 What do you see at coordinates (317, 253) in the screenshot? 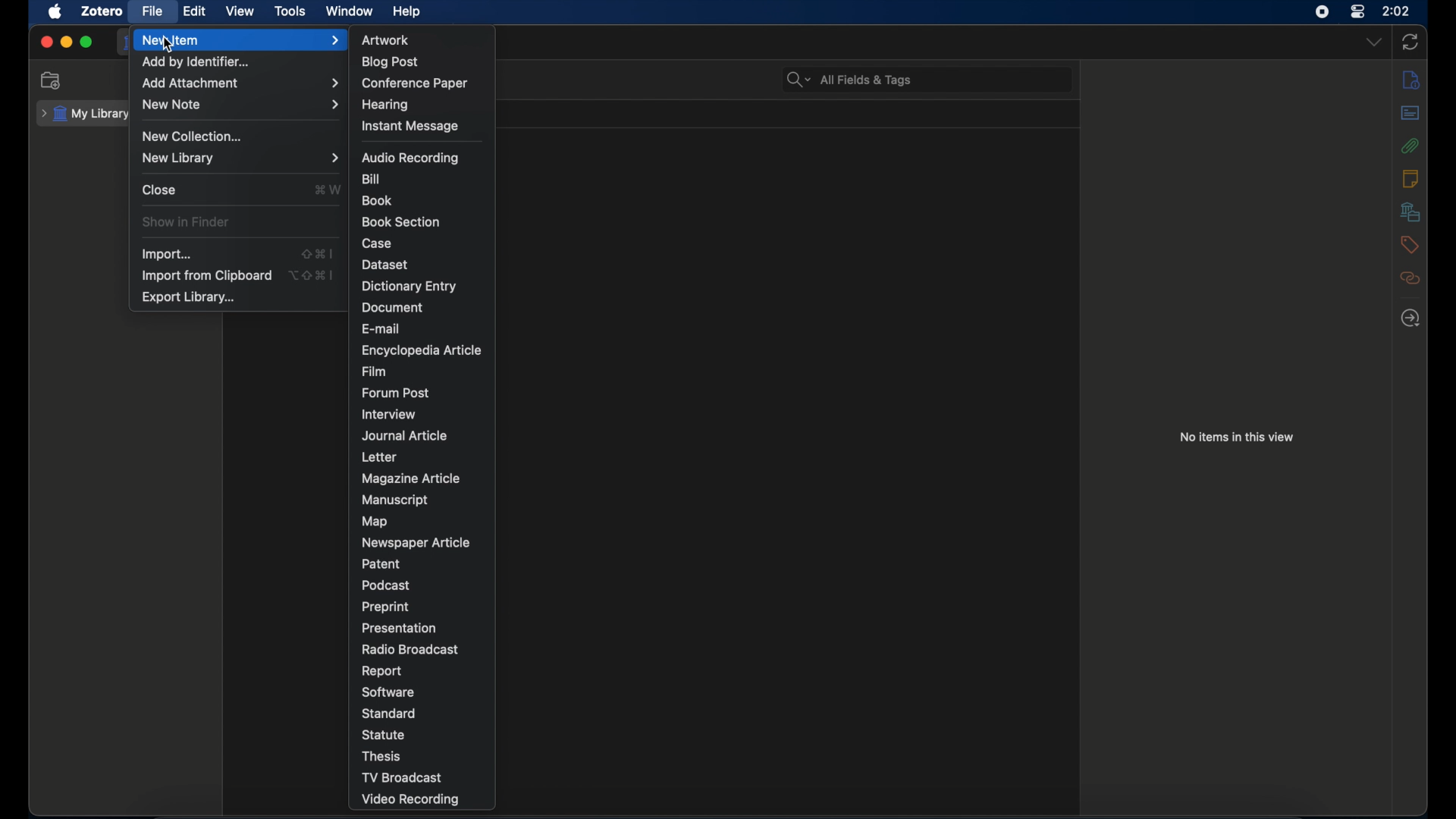
I see `shortcut` at bounding box center [317, 253].